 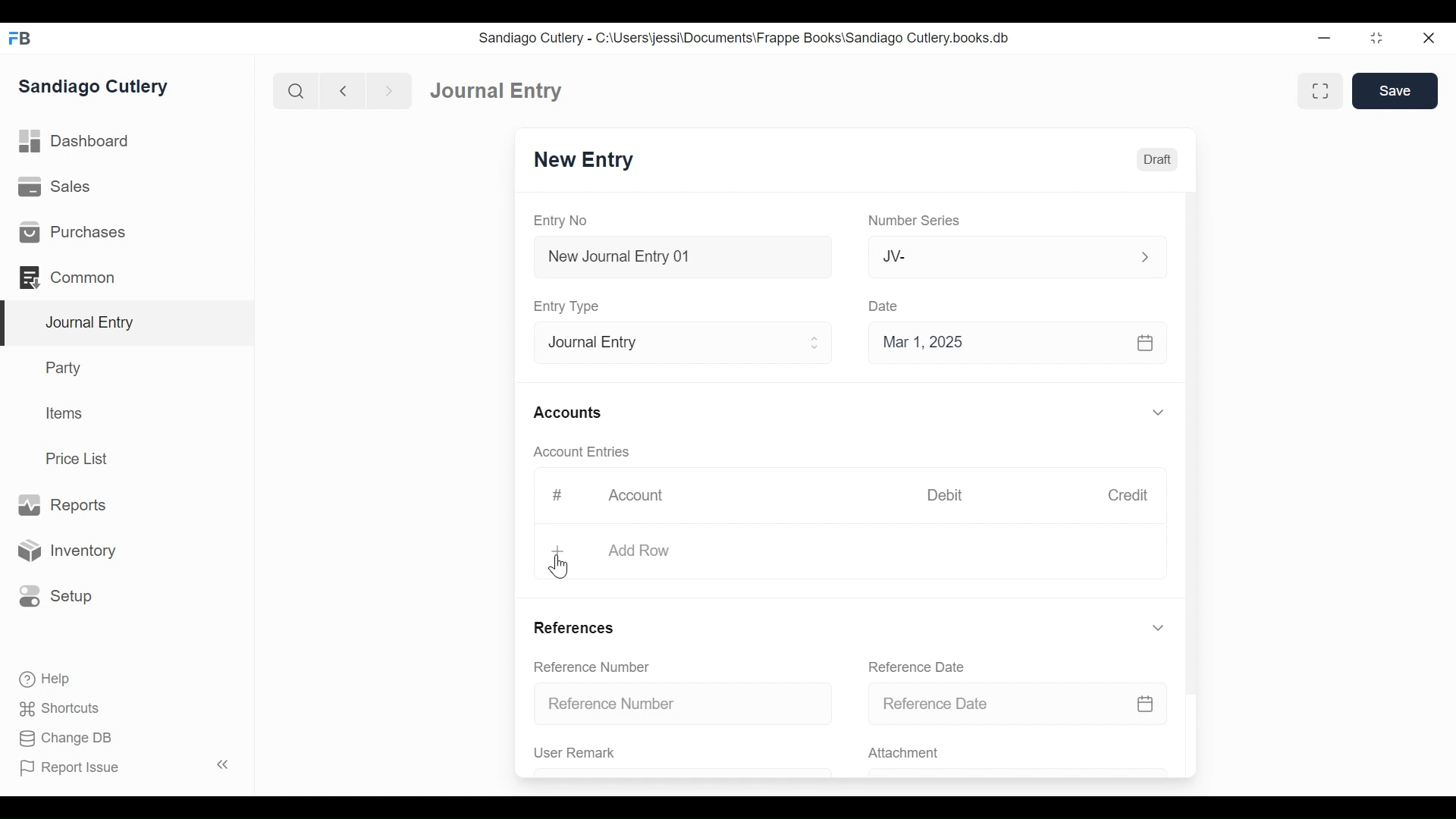 I want to click on References, so click(x=571, y=631).